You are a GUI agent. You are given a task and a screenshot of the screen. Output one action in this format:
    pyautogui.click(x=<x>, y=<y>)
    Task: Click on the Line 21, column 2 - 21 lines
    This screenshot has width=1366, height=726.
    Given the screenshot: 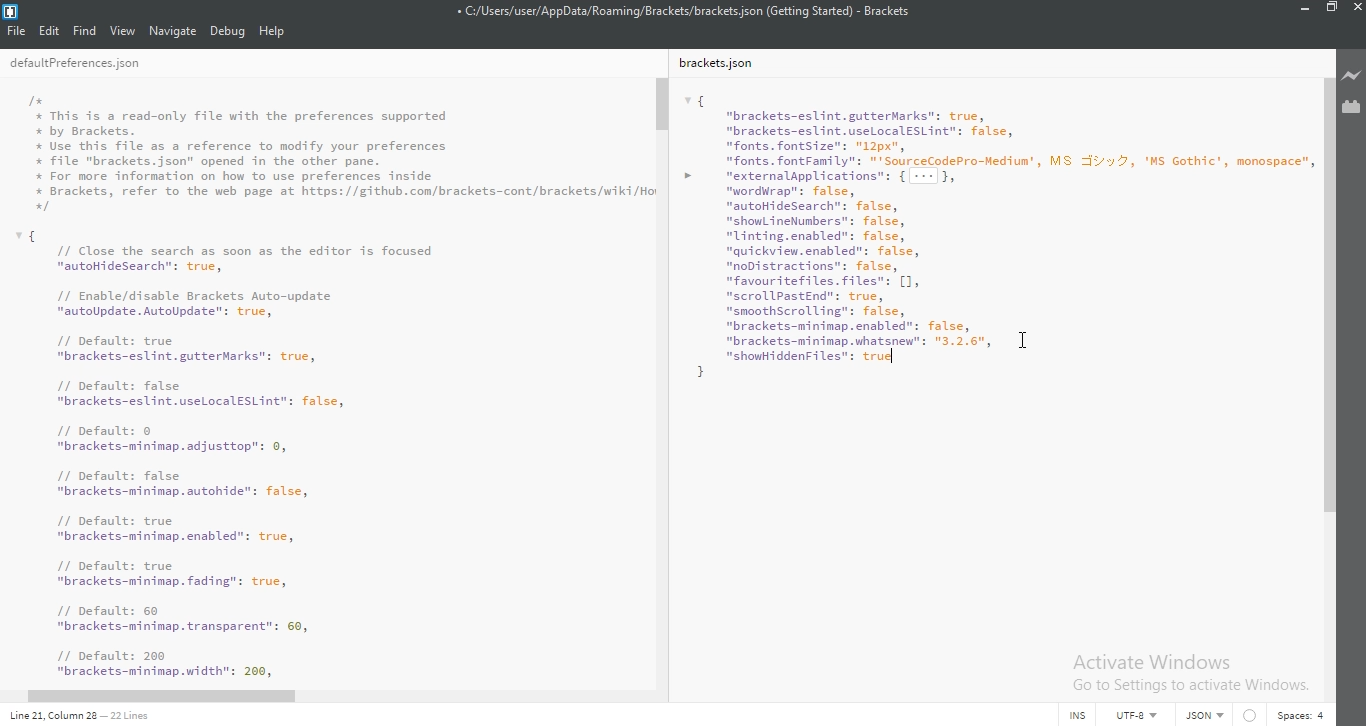 What is the action you would take?
    pyautogui.click(x=76, y=716)
    